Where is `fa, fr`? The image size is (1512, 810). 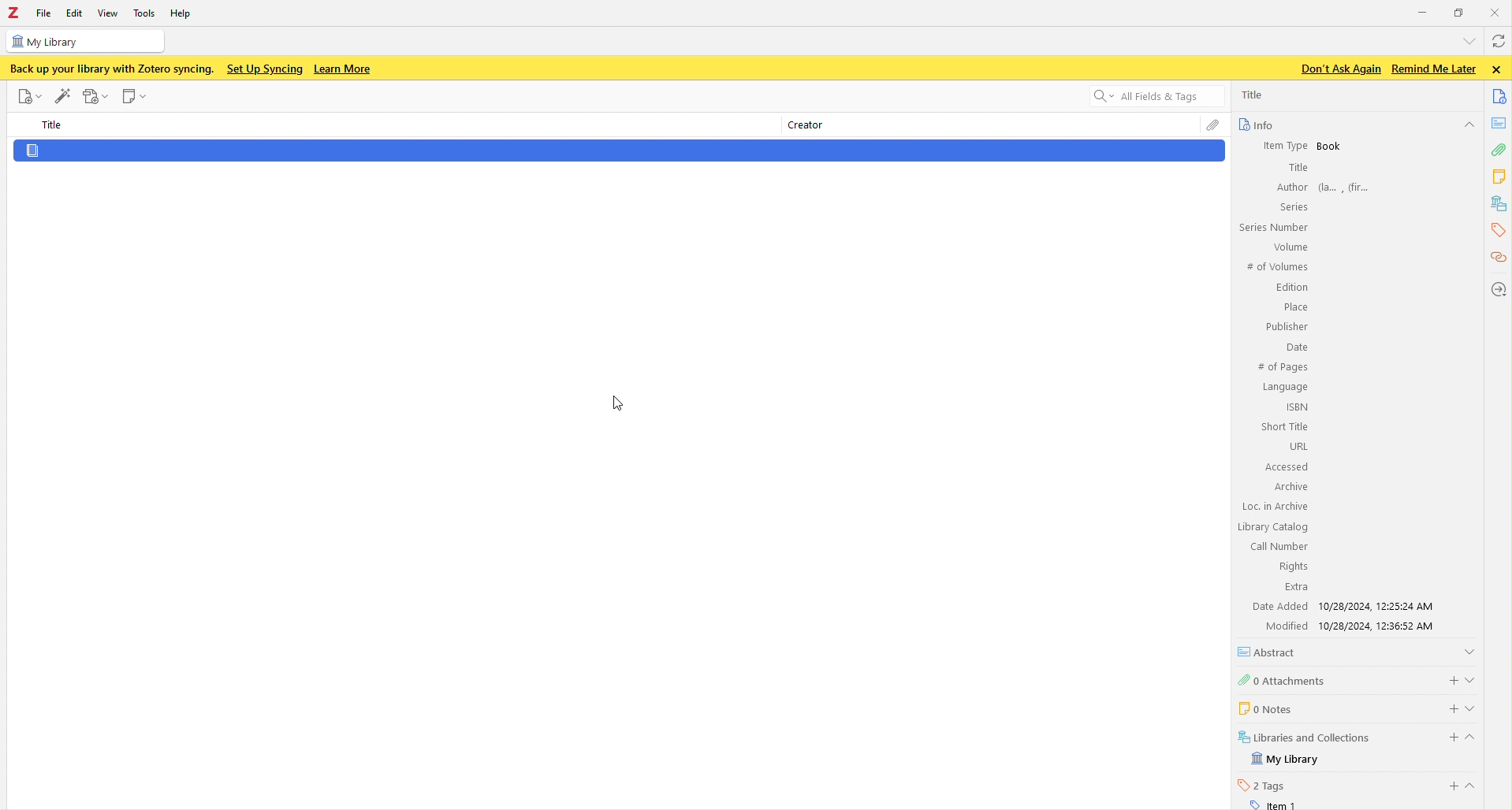 fa, fr is located at coordinates (1349, 186).